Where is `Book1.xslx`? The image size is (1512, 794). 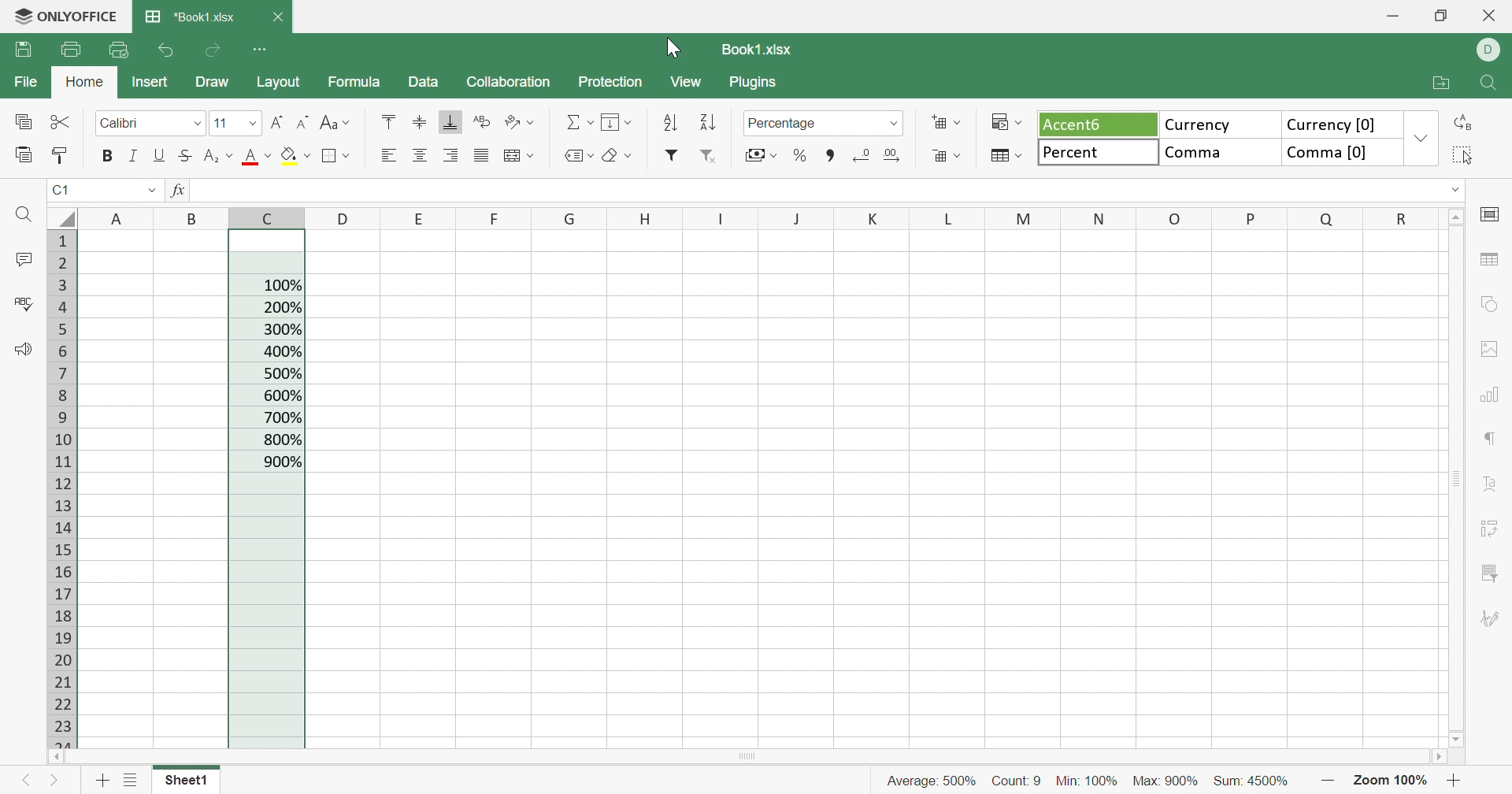 Book1.xslx is located at coordinates (762, 47).